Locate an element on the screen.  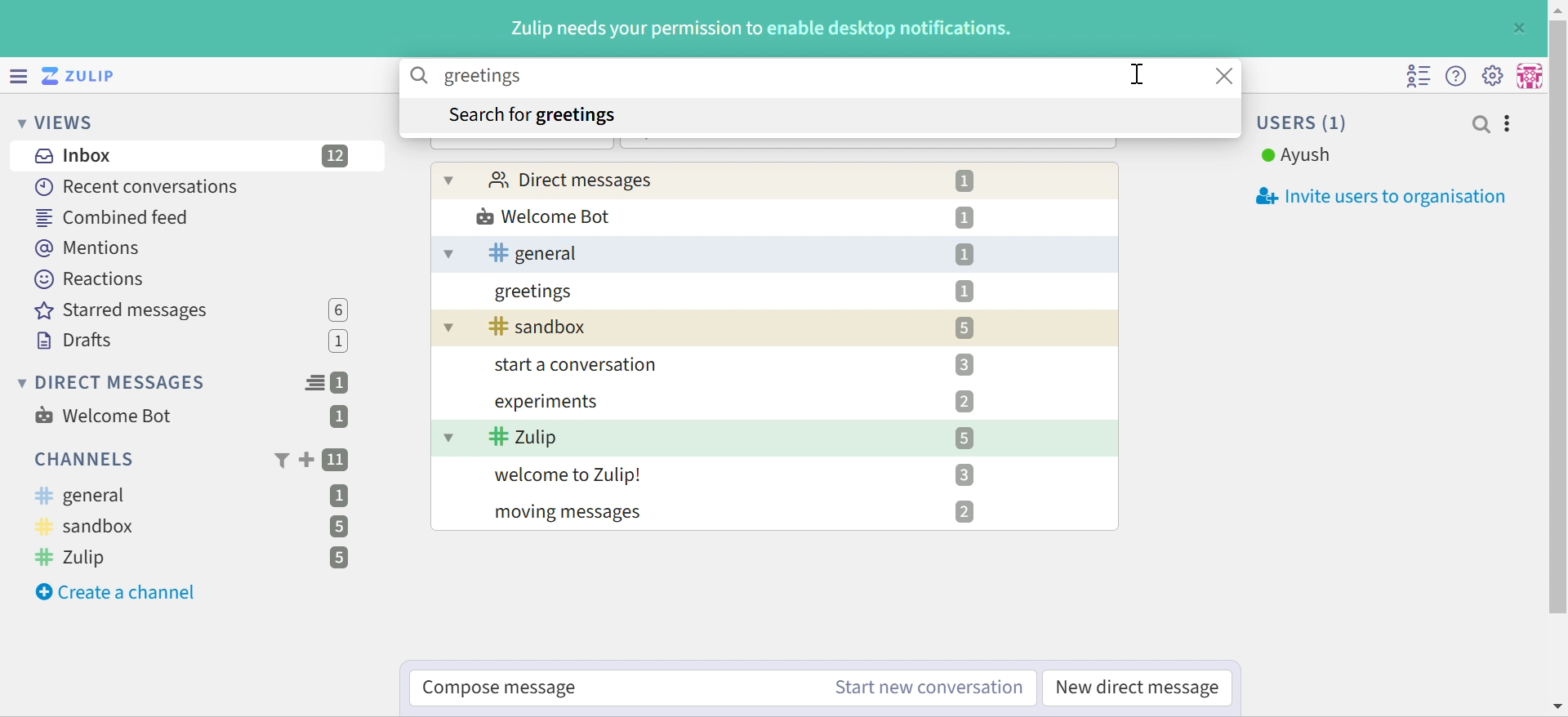
5 is located at coordinates (339, 559).